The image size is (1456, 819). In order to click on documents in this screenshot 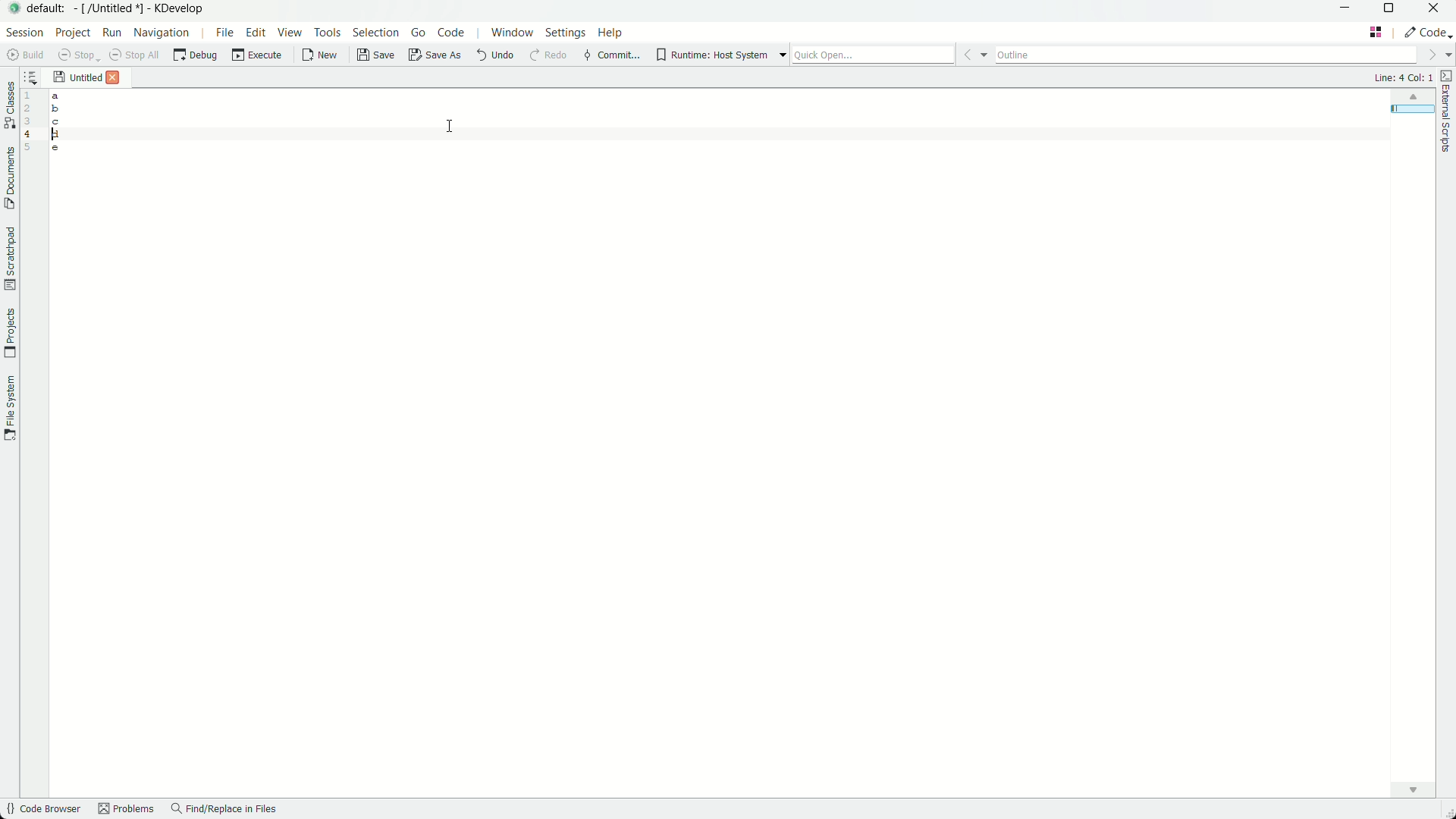, I will do `click(9, 180)`.